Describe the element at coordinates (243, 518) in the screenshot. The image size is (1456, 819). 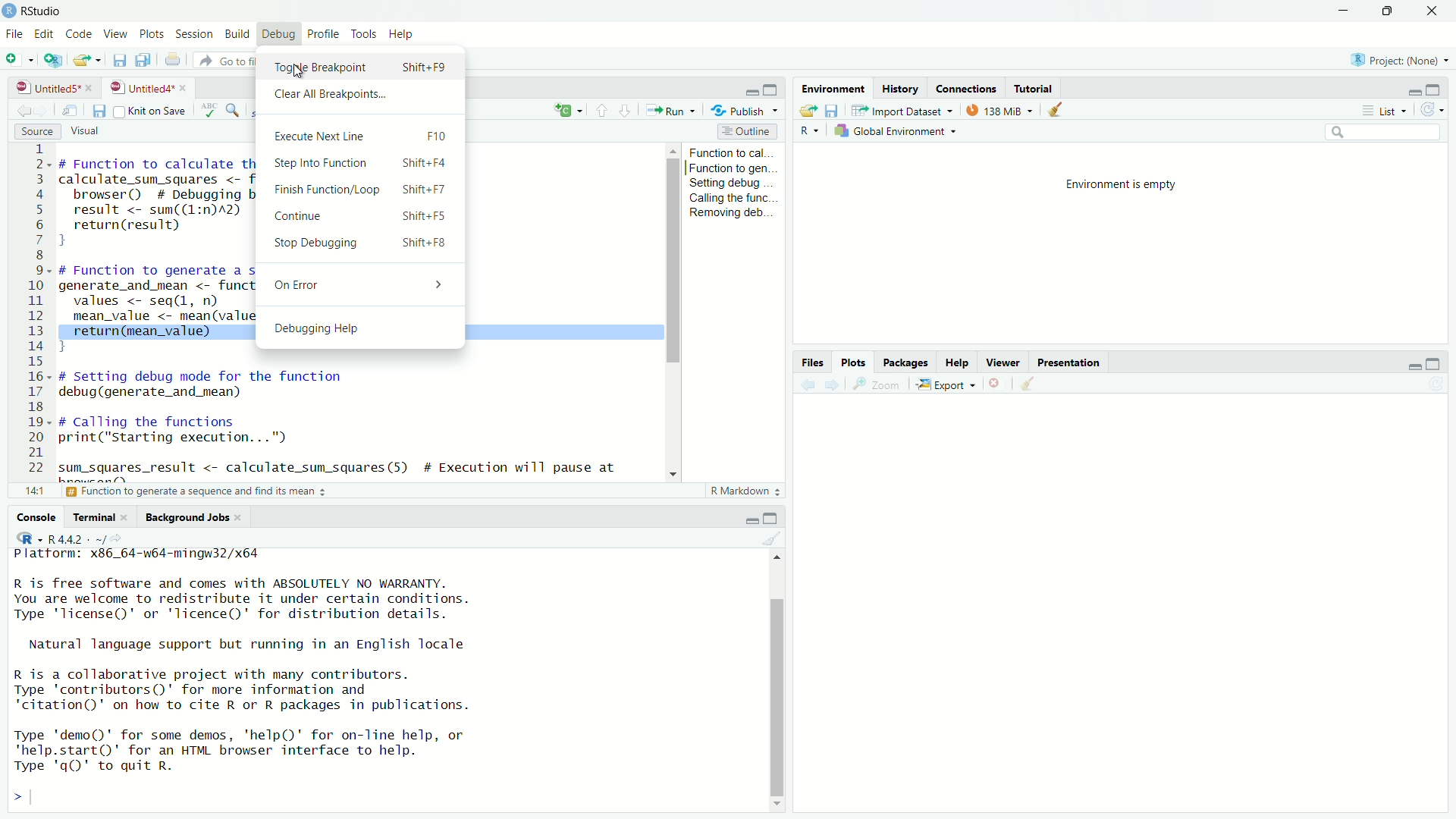
I see `close` at that location.